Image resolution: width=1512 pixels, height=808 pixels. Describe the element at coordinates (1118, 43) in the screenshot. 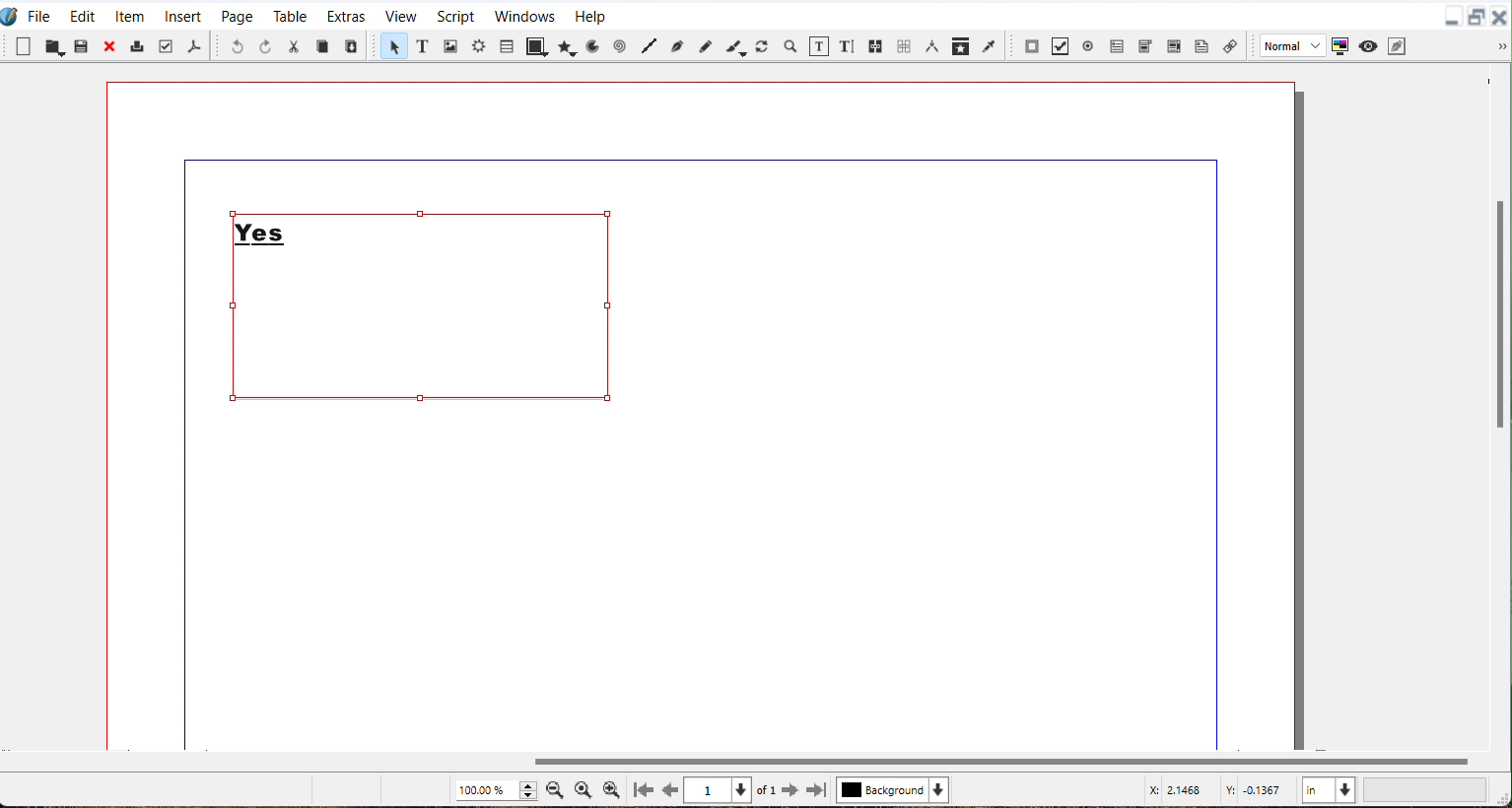

I see `PDF Text Field` at that location.